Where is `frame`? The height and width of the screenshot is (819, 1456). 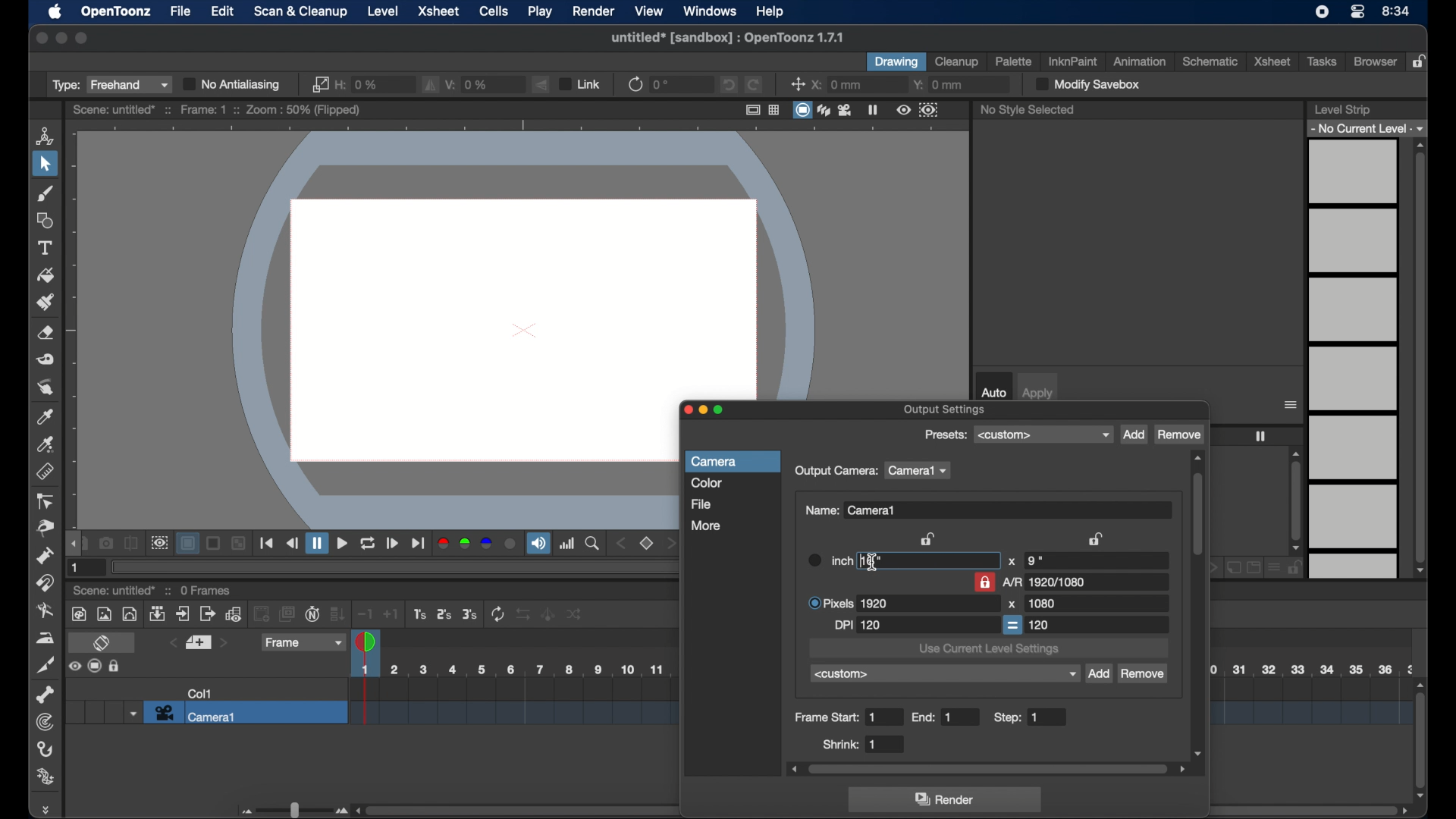 frame is located at coordinates (301, 642).